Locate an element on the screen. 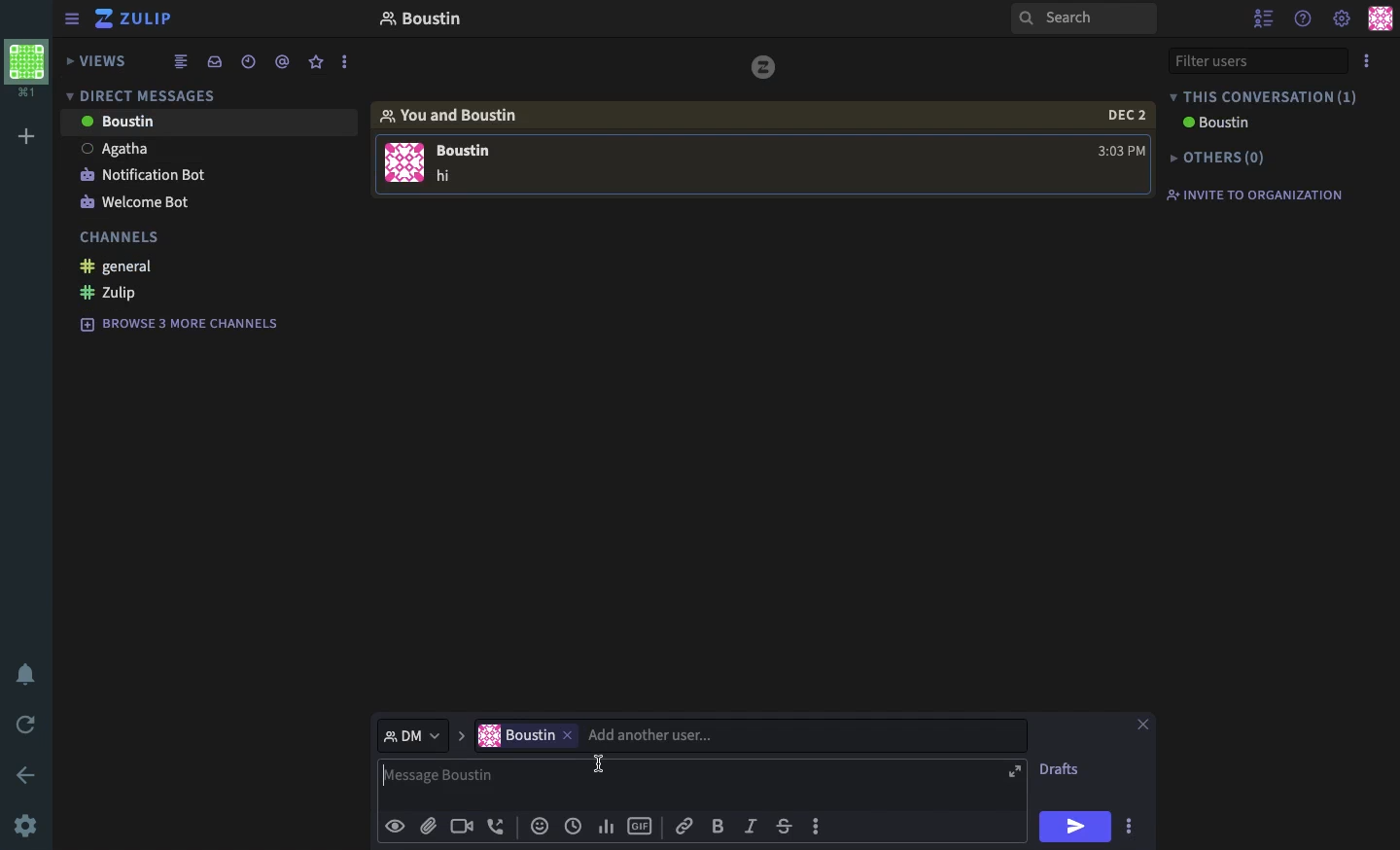 Image resolution: width=1400 pixels, height=850 pixels. general is located at coordinates (116, 267).